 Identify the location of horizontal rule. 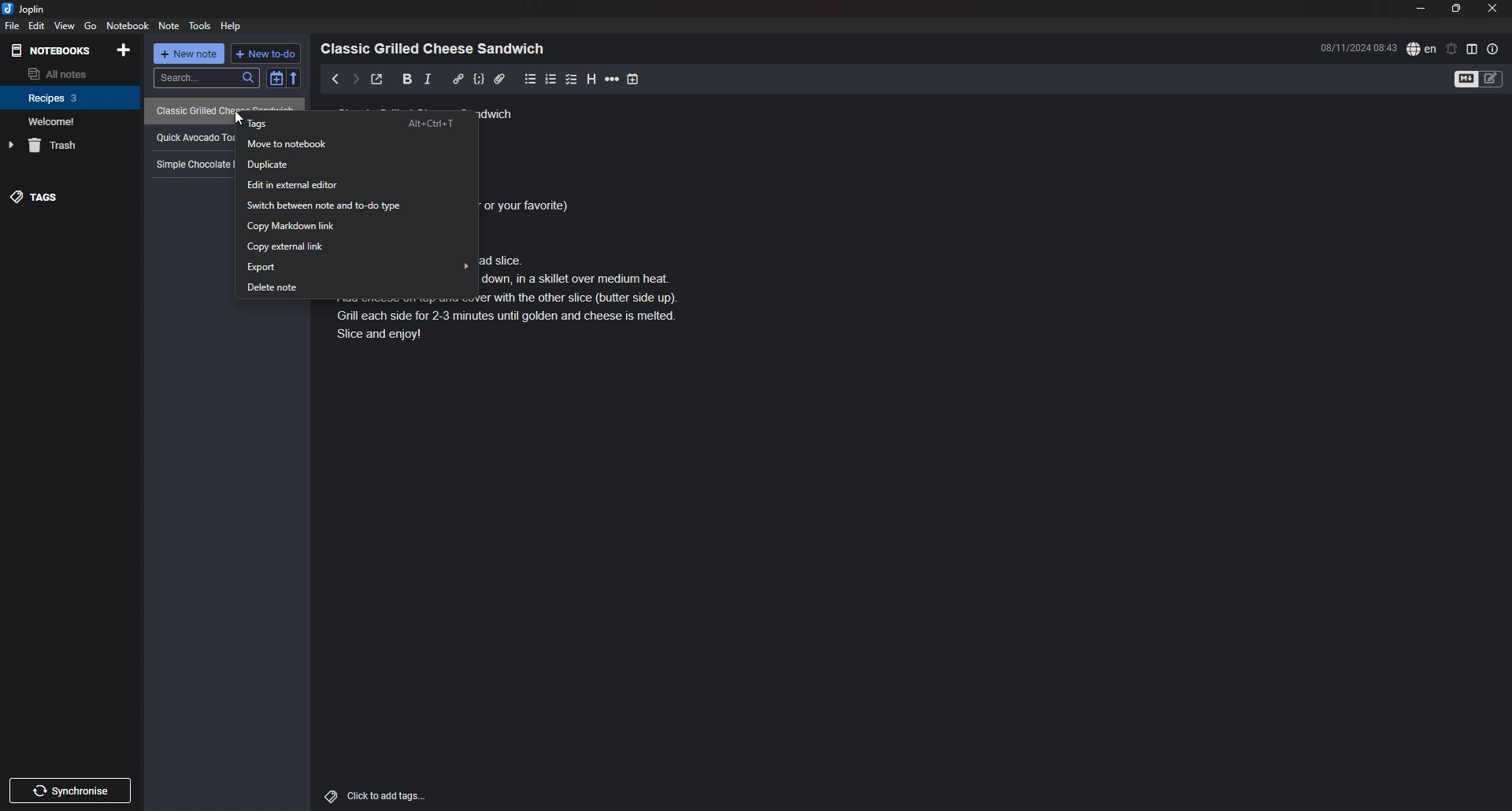
(613, 79).